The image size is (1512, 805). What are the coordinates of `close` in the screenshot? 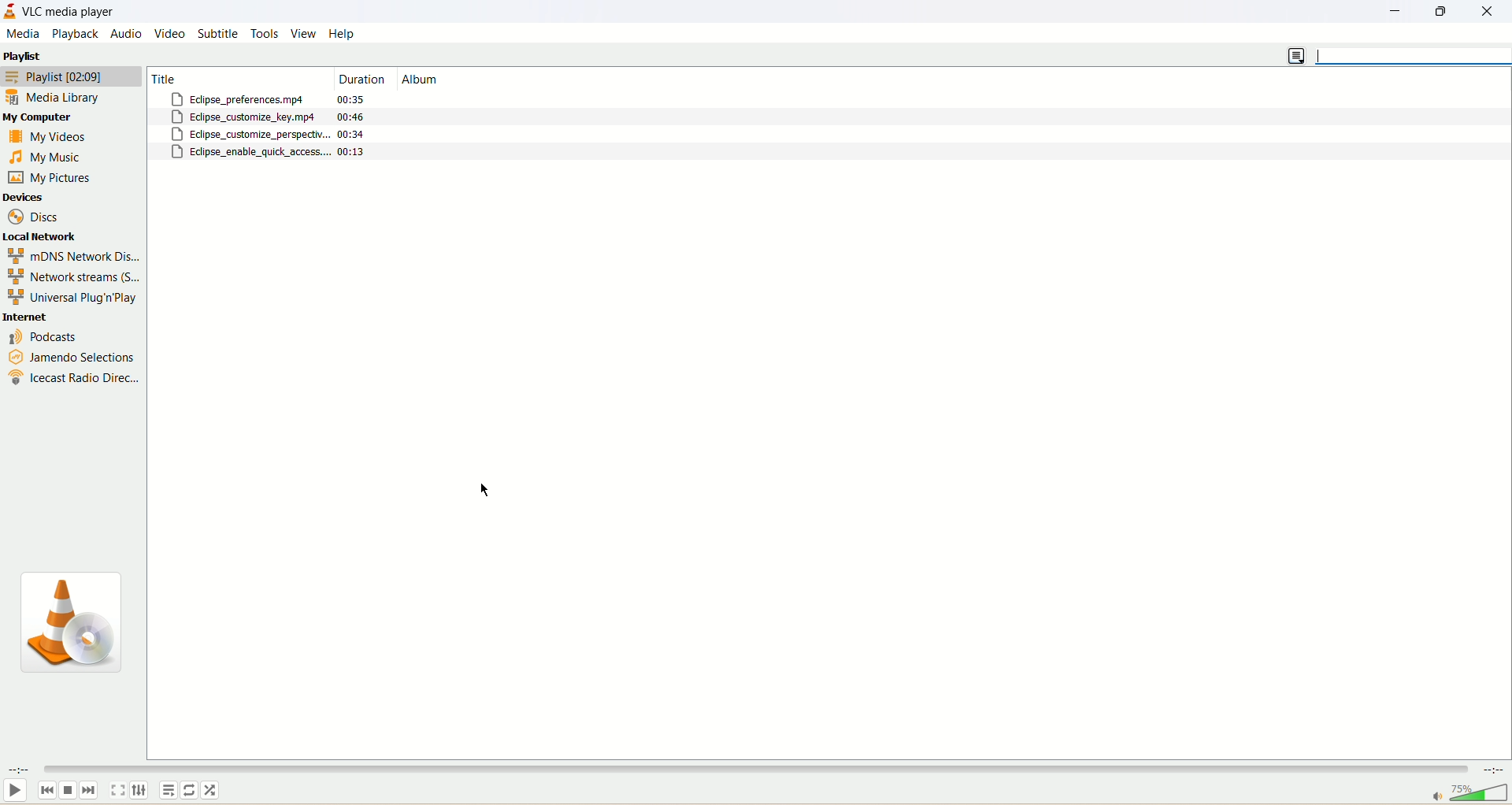 It's located at (1490, 11).